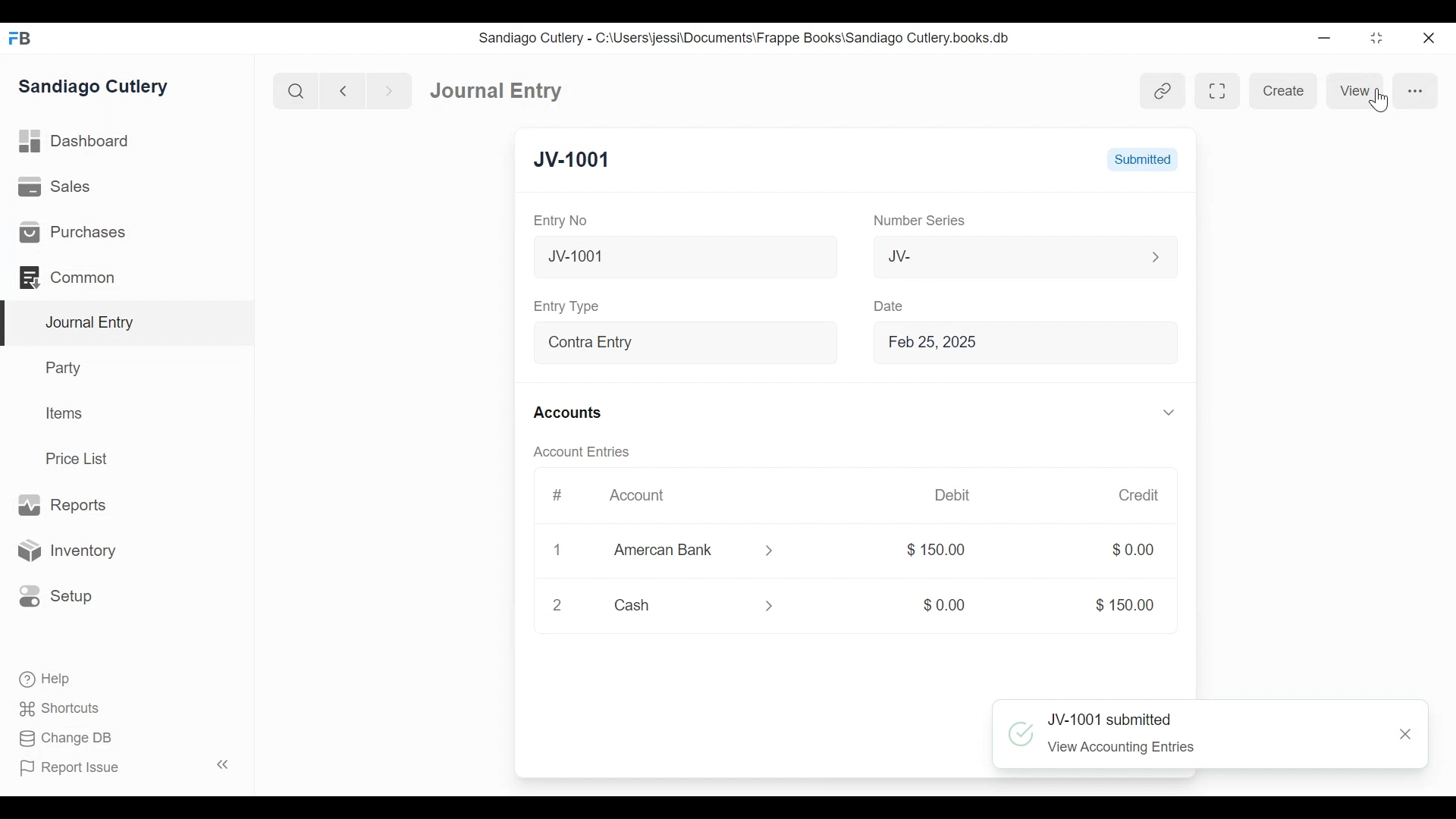 The width and height of the screenshot is (1456, 819). What do you see at coordinates (1128, 550) in the screenshot?
I see `$0.00` at bounding box center [1128, 550].